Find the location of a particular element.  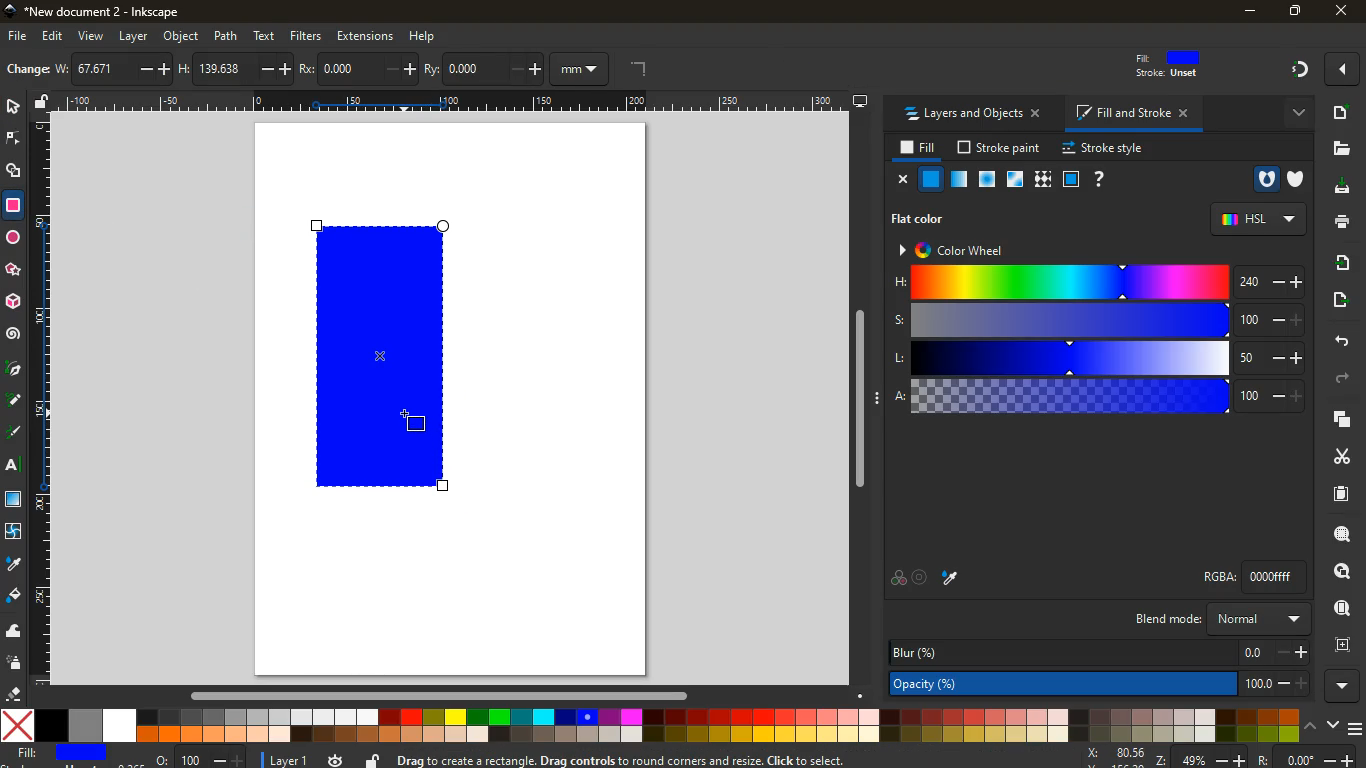

frame is located at coordinates (1344, 646).